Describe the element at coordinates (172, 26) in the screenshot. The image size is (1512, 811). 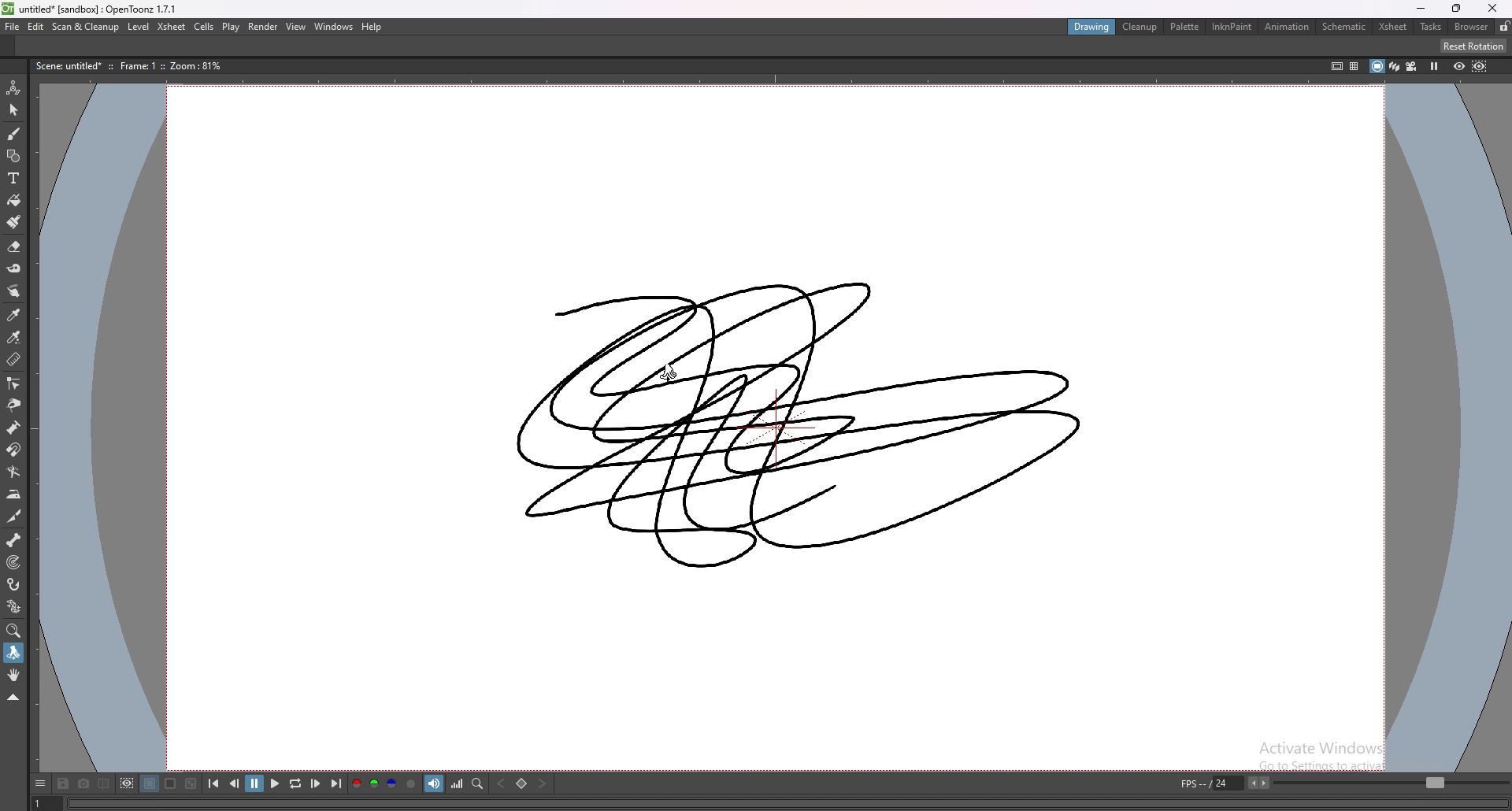
I see `xsheet` at that location.